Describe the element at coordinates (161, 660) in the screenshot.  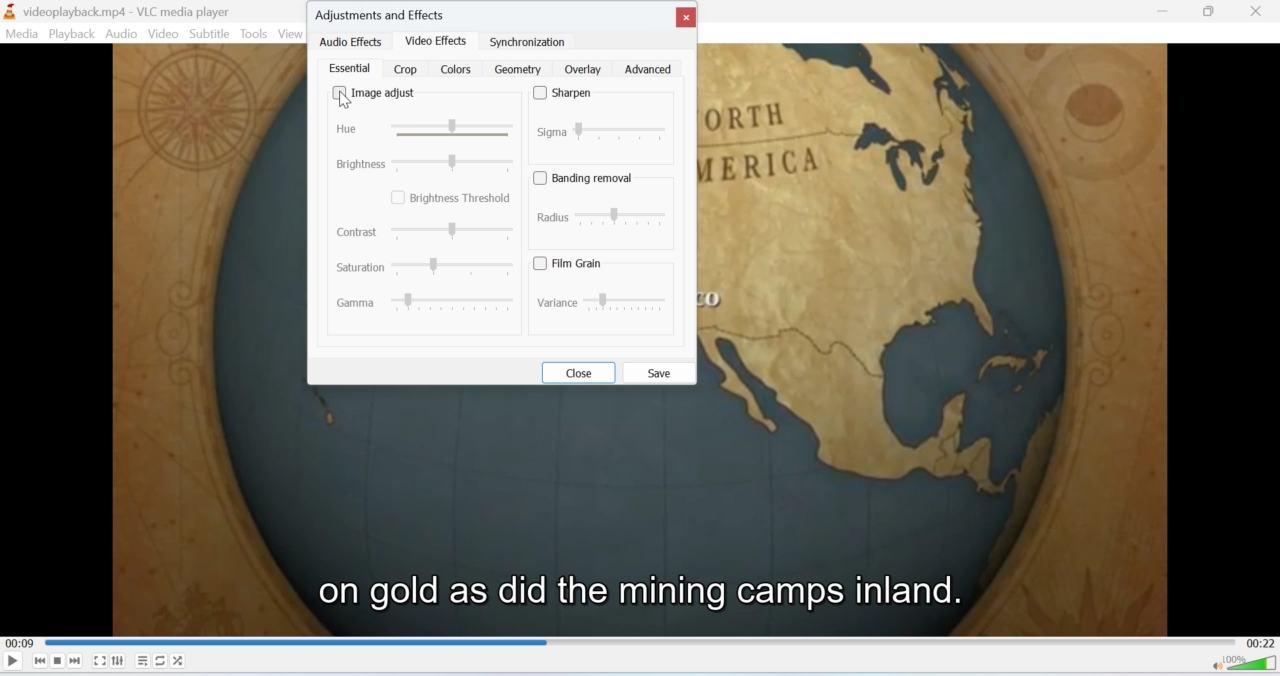
I see `Loop` at that location.